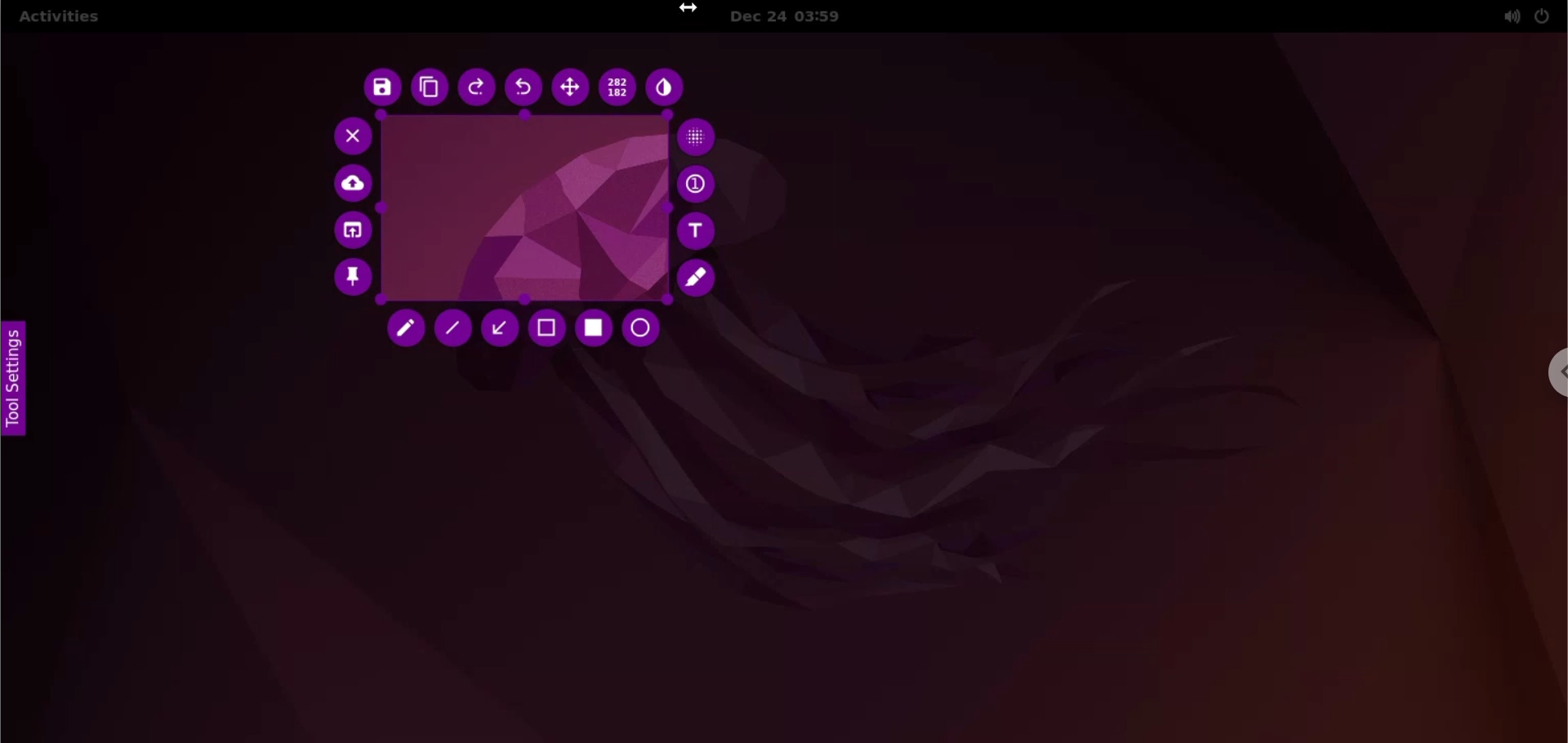  Describe the element at coordinates (381, 87) in the screenshot. I see `save ` at that location.